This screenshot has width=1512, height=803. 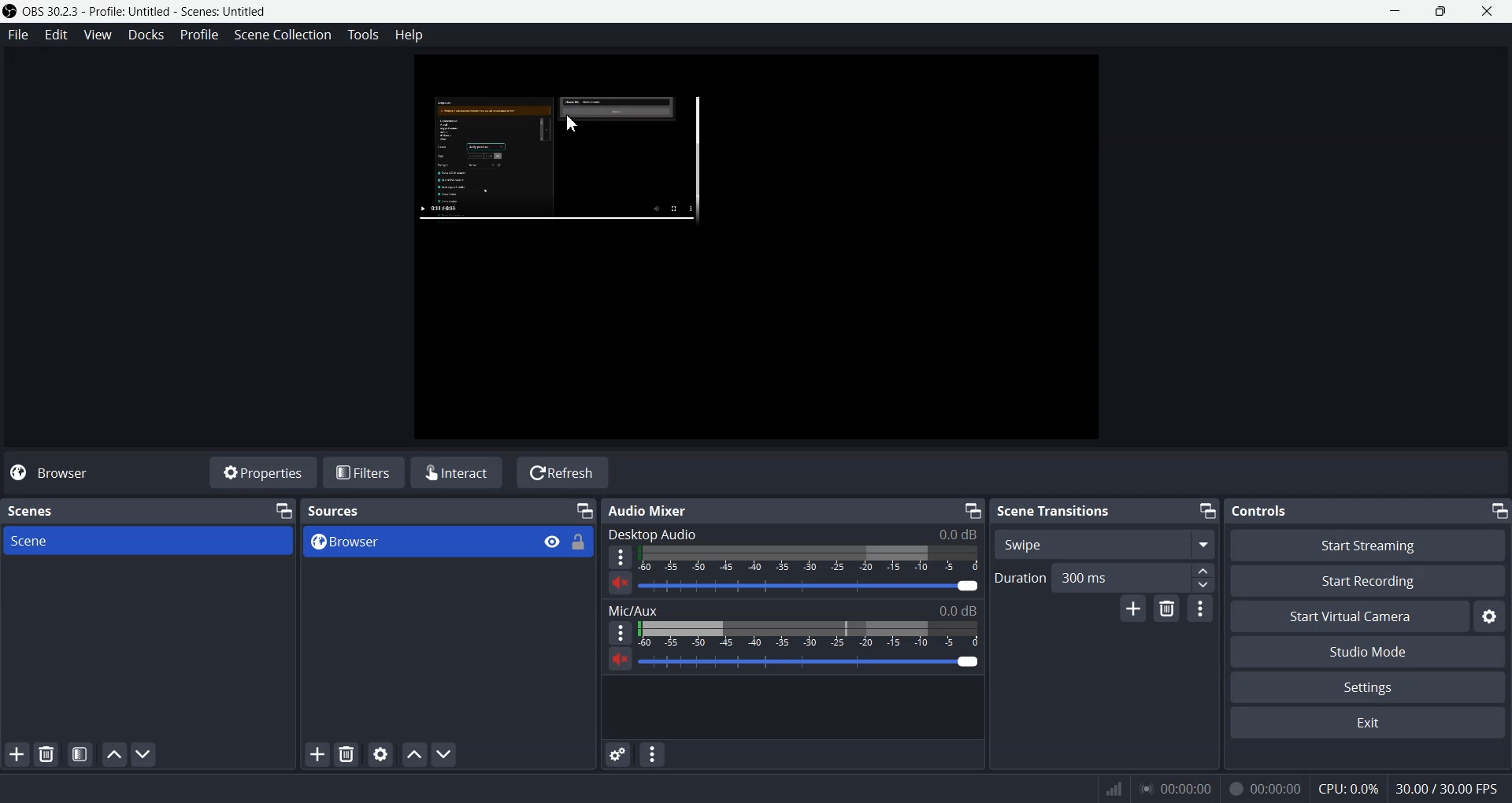 What do you see at coordinates (1488, 10) in the screenshot?
I see `Close` at bounding box center [1488, 10].